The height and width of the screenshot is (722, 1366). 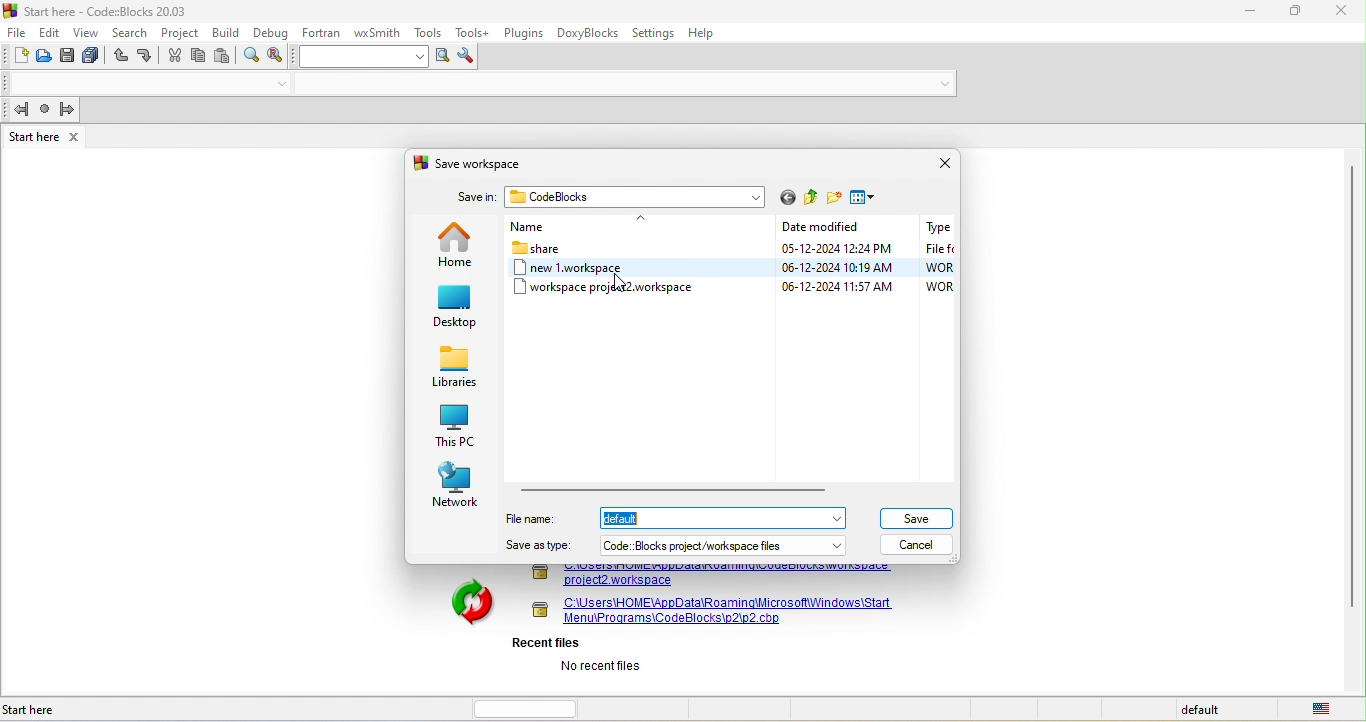 I want to click on file name, so click(x=537, y=518).